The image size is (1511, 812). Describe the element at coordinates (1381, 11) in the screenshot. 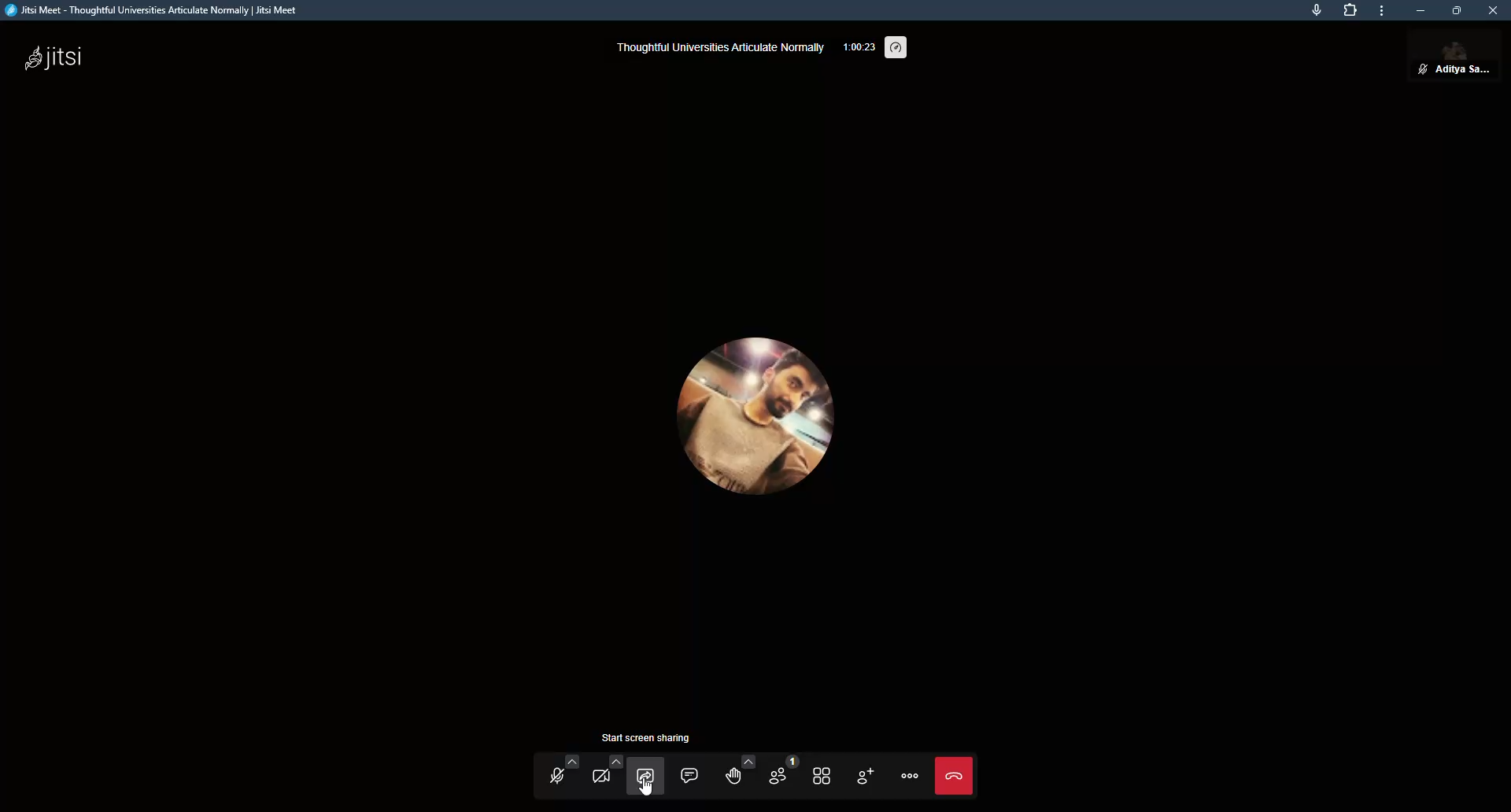

I see `more` at that location.